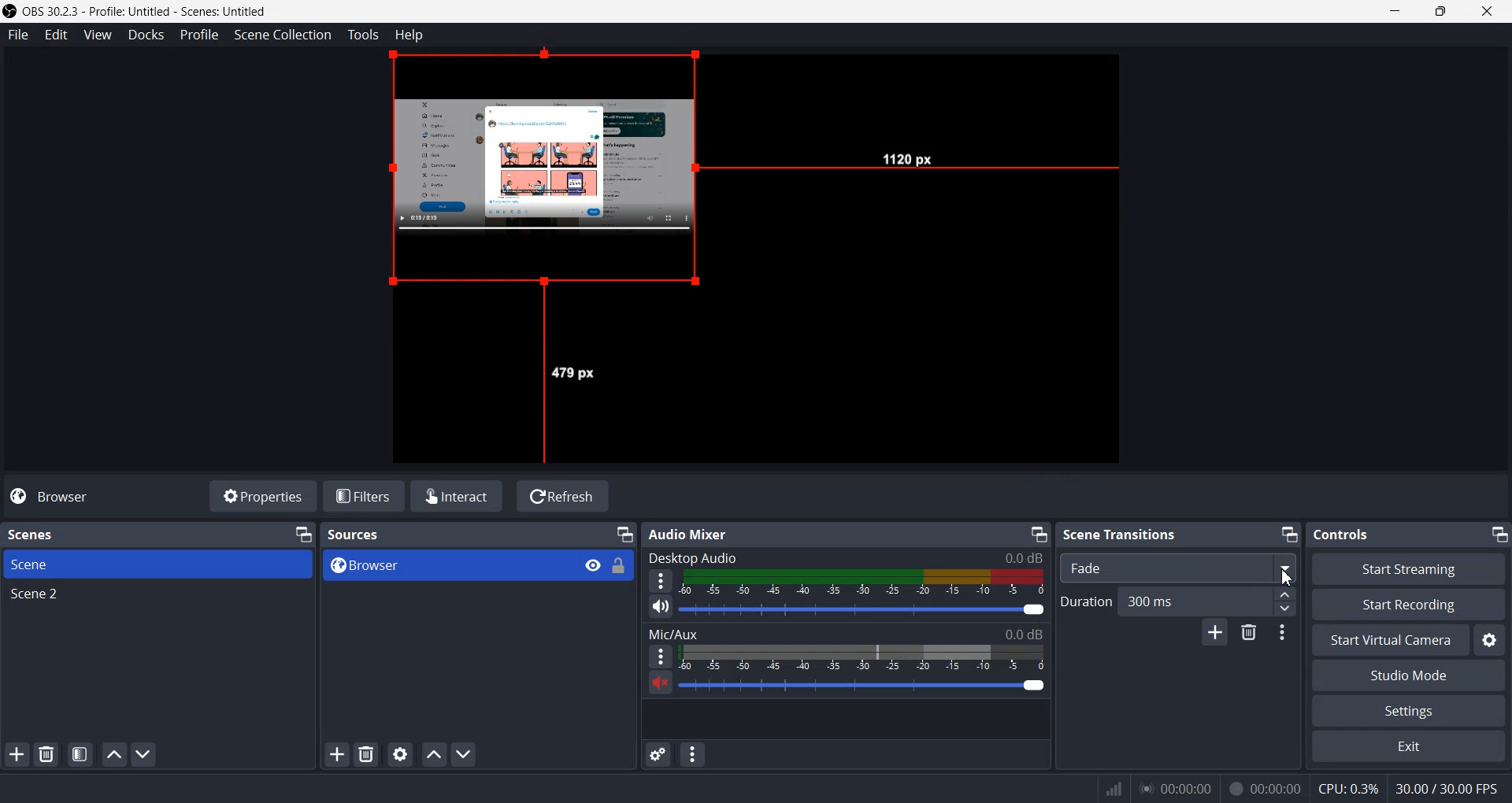 The image size is (1512, 803). I want to click on Settings, so click(1492, 639).